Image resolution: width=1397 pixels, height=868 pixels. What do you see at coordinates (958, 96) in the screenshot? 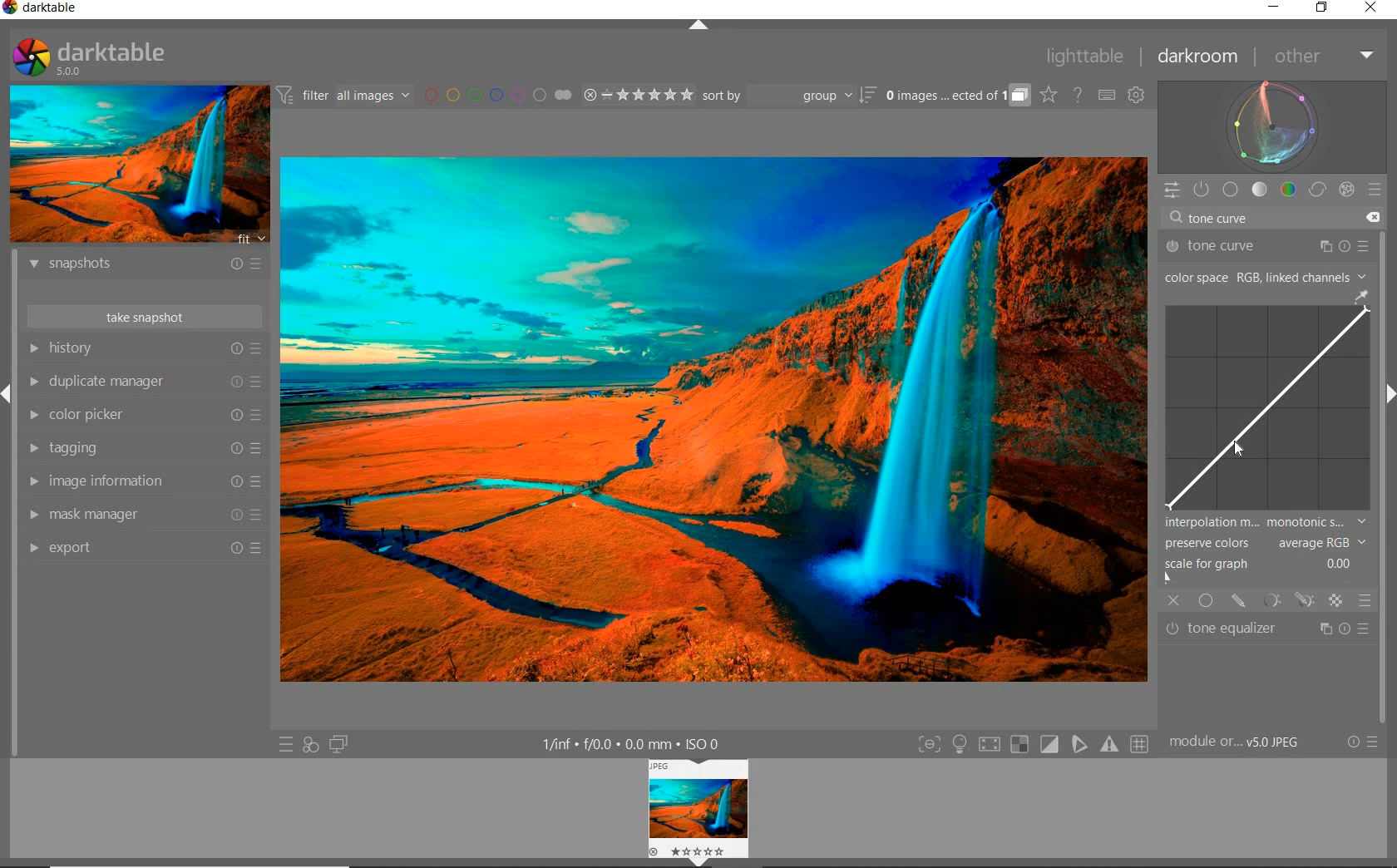
I see `EXPAND GROUPED IMAGES` at bounding box center [958, 96].